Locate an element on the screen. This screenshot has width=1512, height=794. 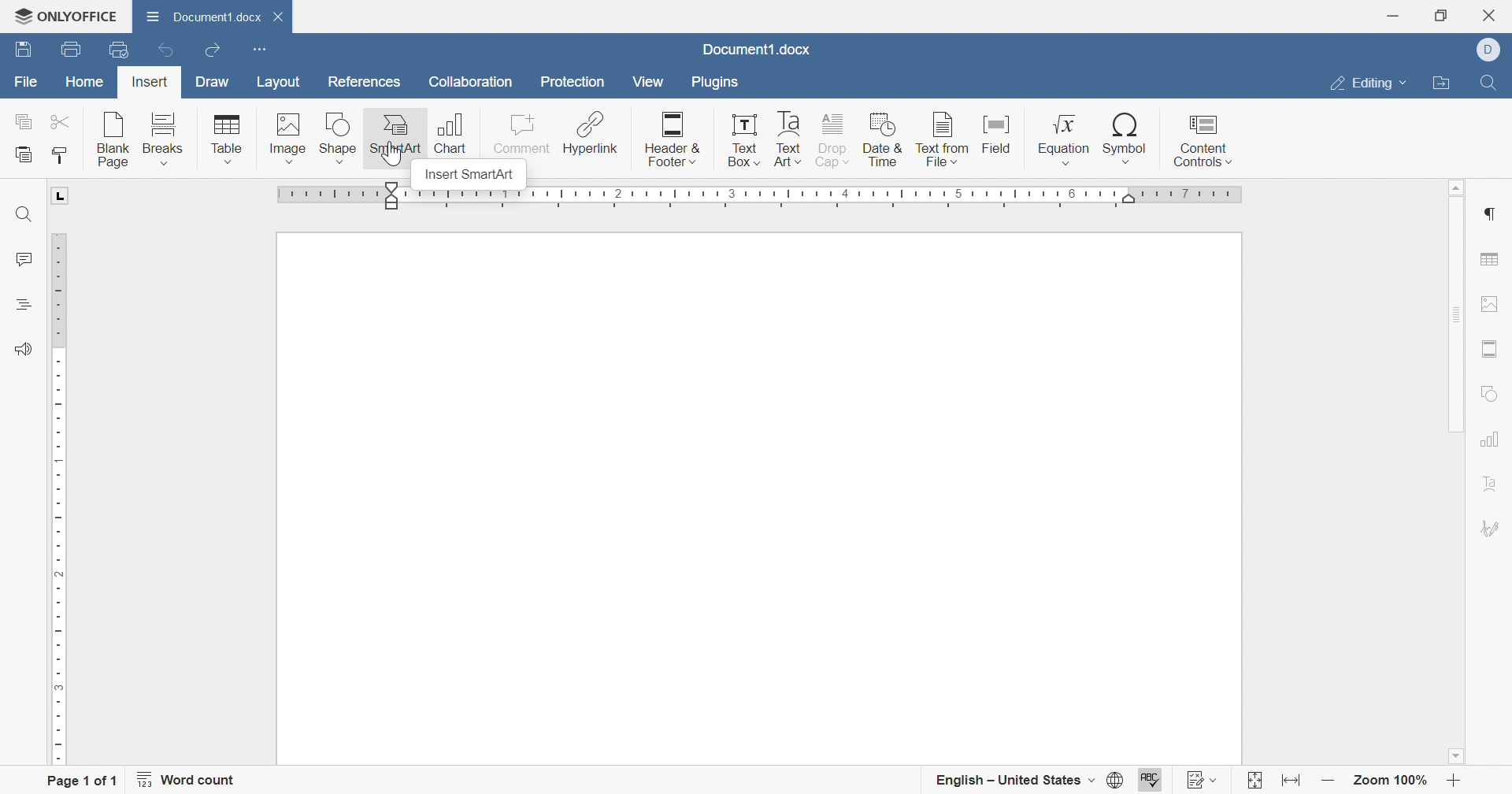
English - United States is located at coordinates (1014, 779).